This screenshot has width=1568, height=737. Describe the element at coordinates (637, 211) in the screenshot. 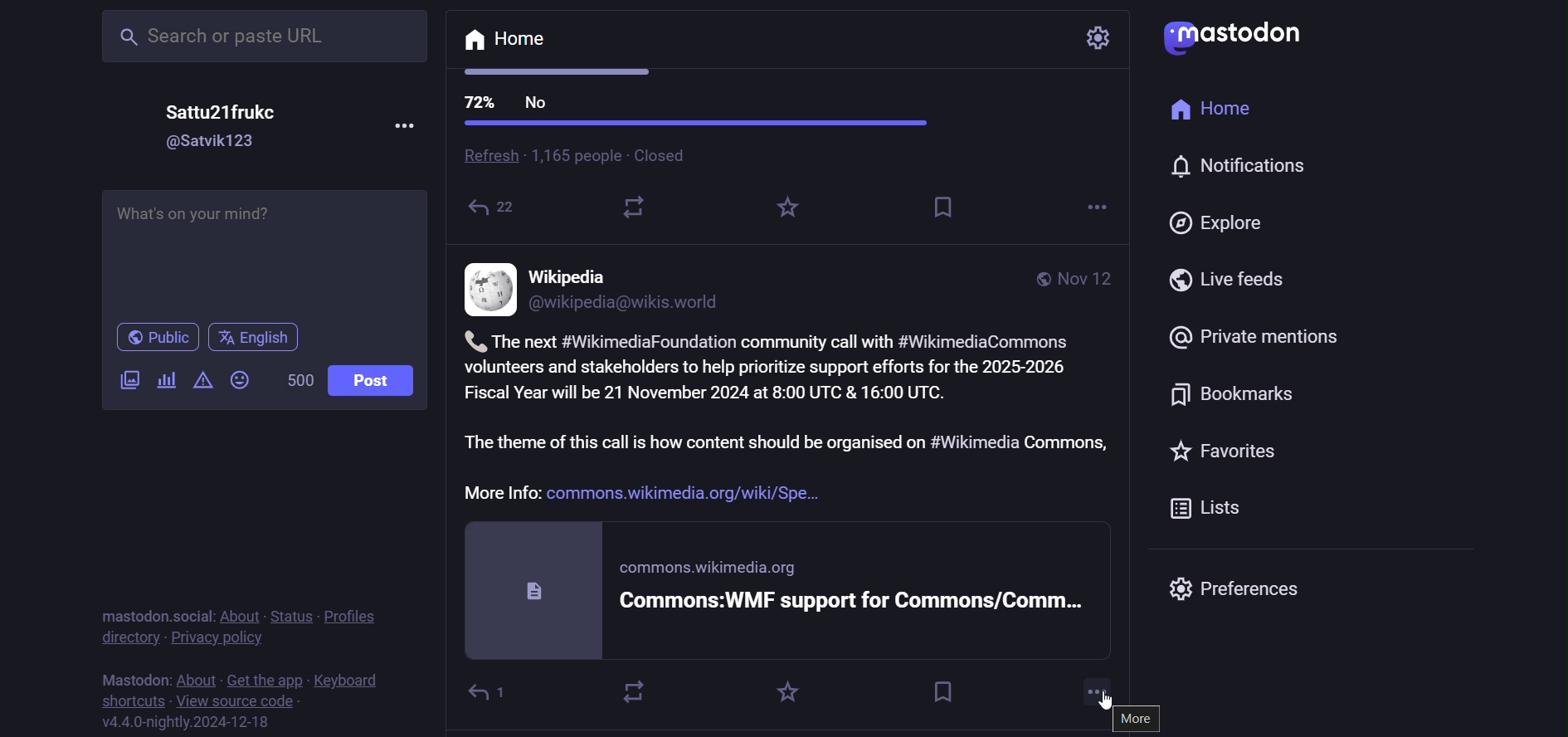

I see `reshare` at that location.